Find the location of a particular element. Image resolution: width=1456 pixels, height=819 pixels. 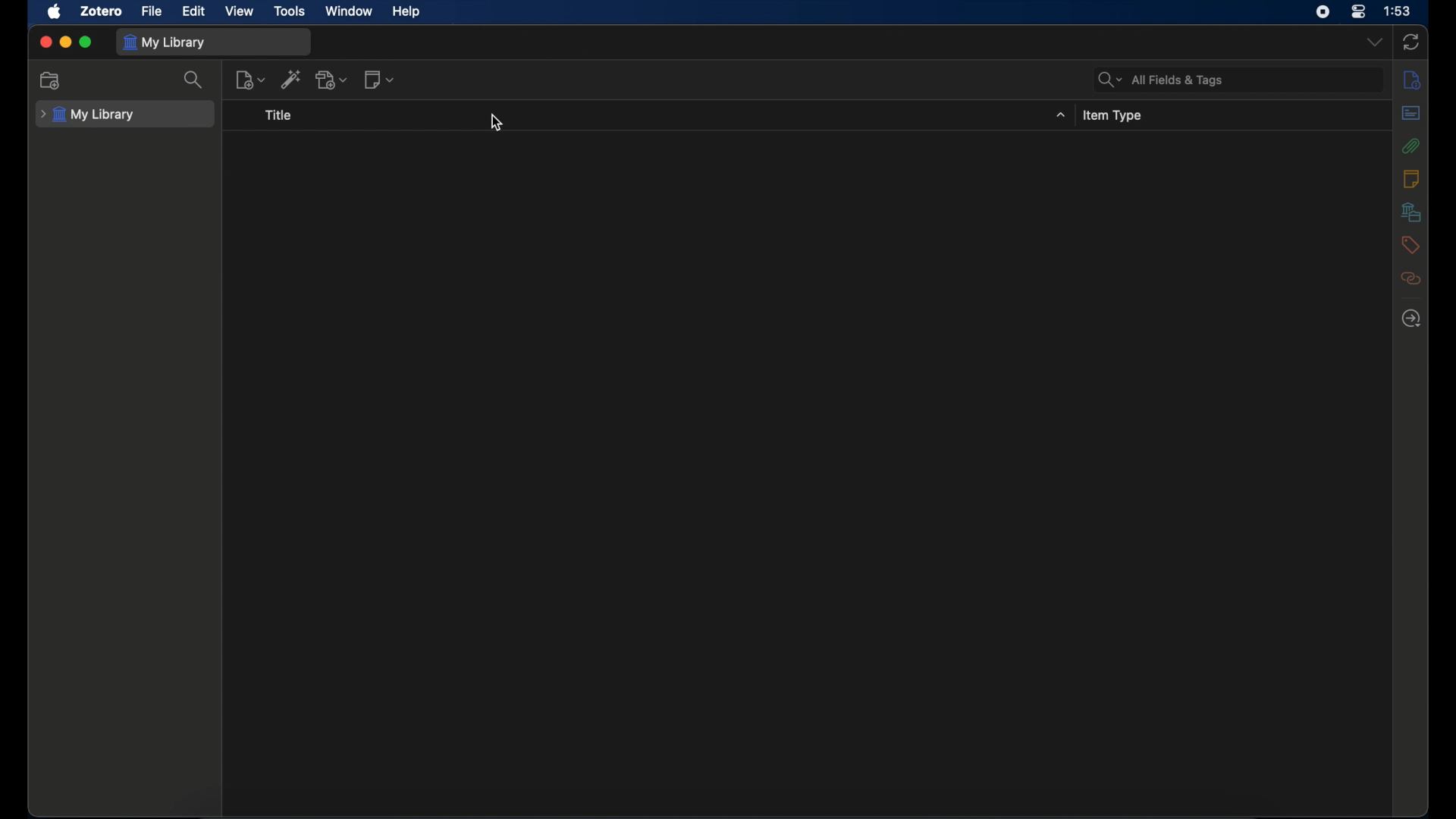

file is located at coordinates (152, 11).